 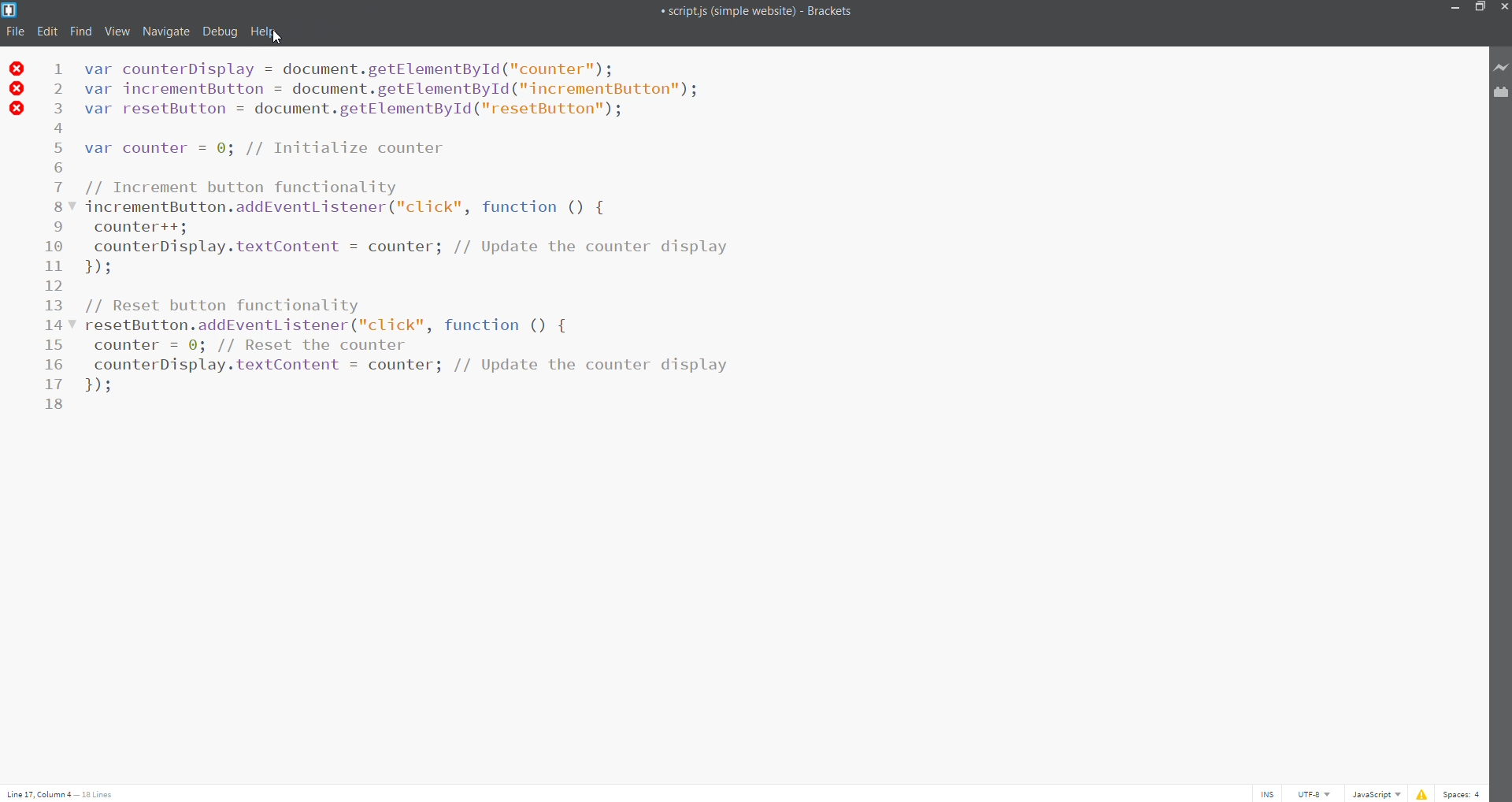 What do you see at coordinates (46, 33) in the screenshot?
I see `edit` at bounding box center [46, 33].